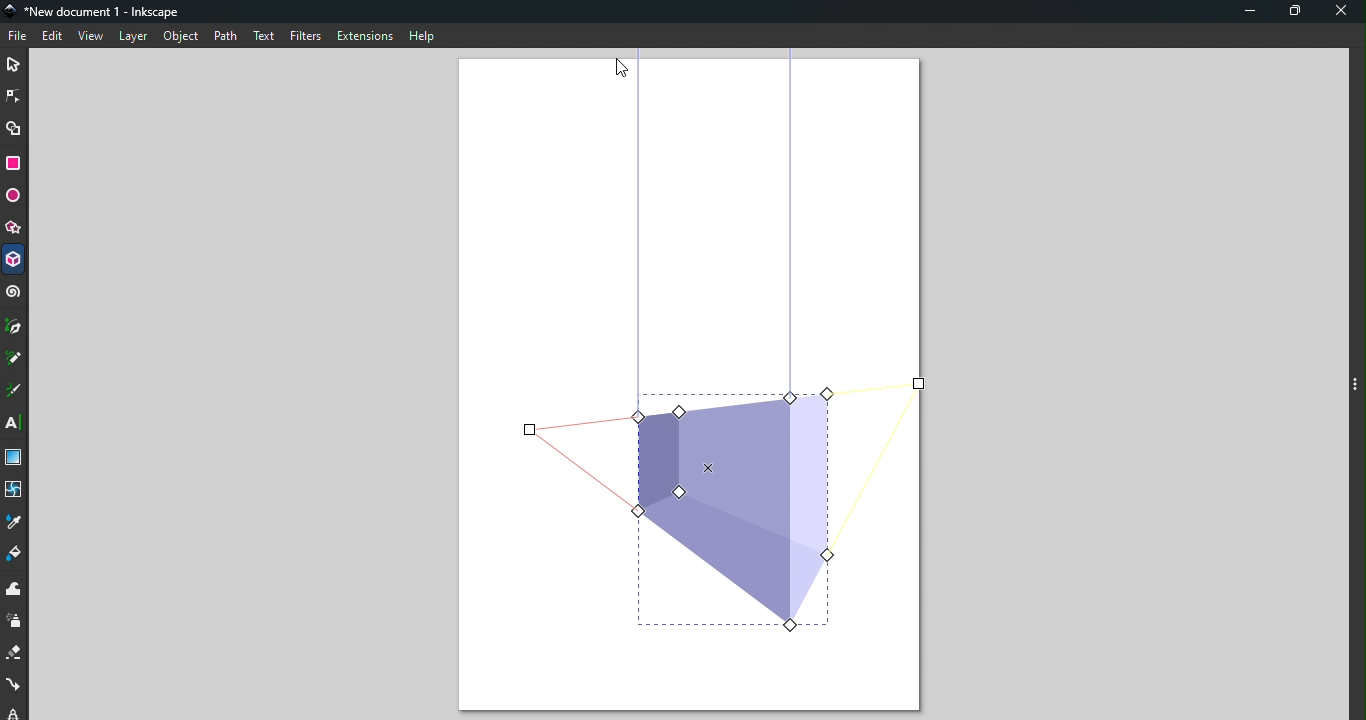  Describe the element at coordinates (91, 36) in the screenshot. I see `View` at that location.